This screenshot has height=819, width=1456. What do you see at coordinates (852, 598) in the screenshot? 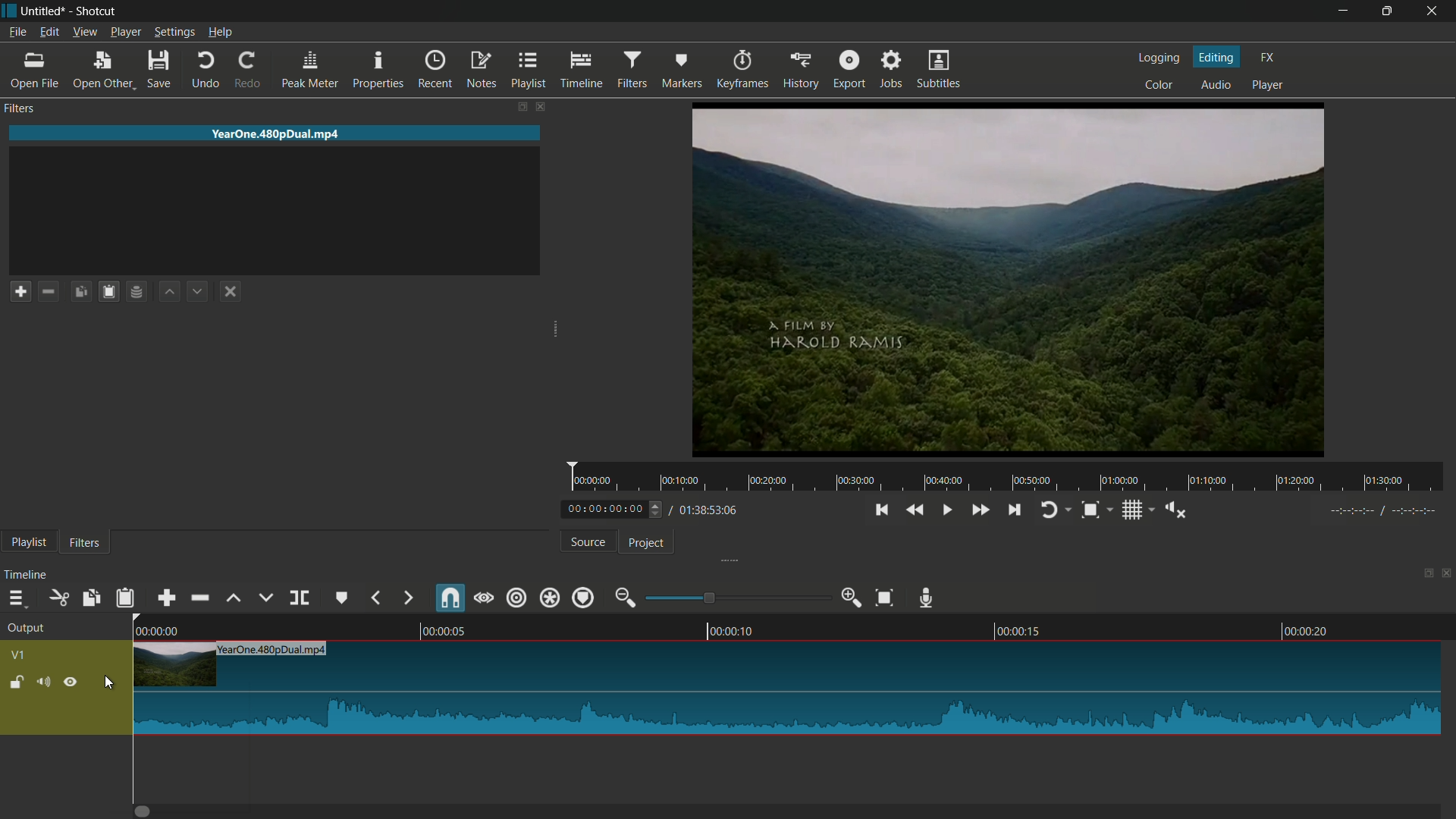
I see `zoom in` at bounding box center [852, 598].